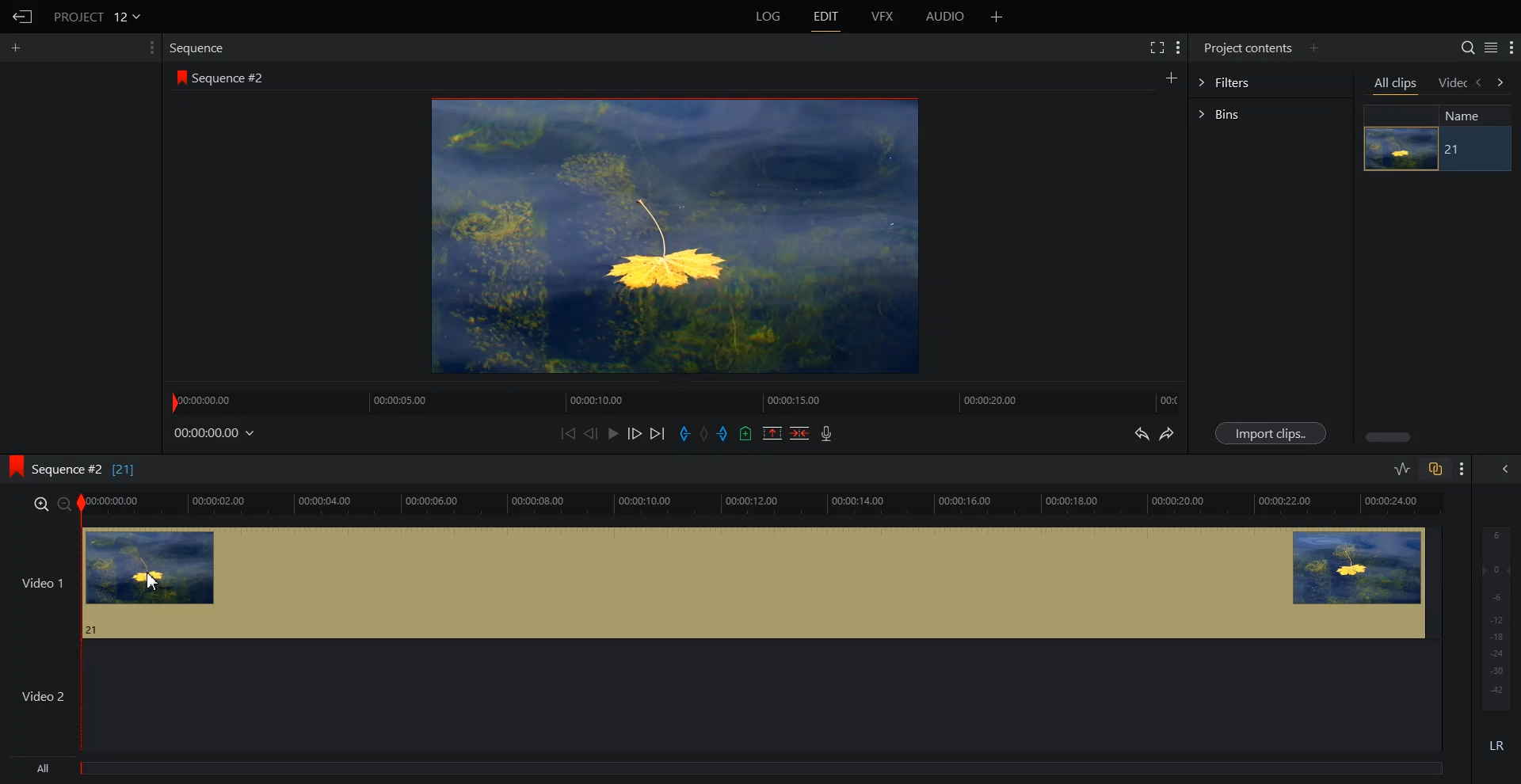 This screenshot has width=1521, height=784. What do you see at coordinates (216, 432) in the screenshot?
I see `00:00:00.00 ` at bounding box center [216, 432].